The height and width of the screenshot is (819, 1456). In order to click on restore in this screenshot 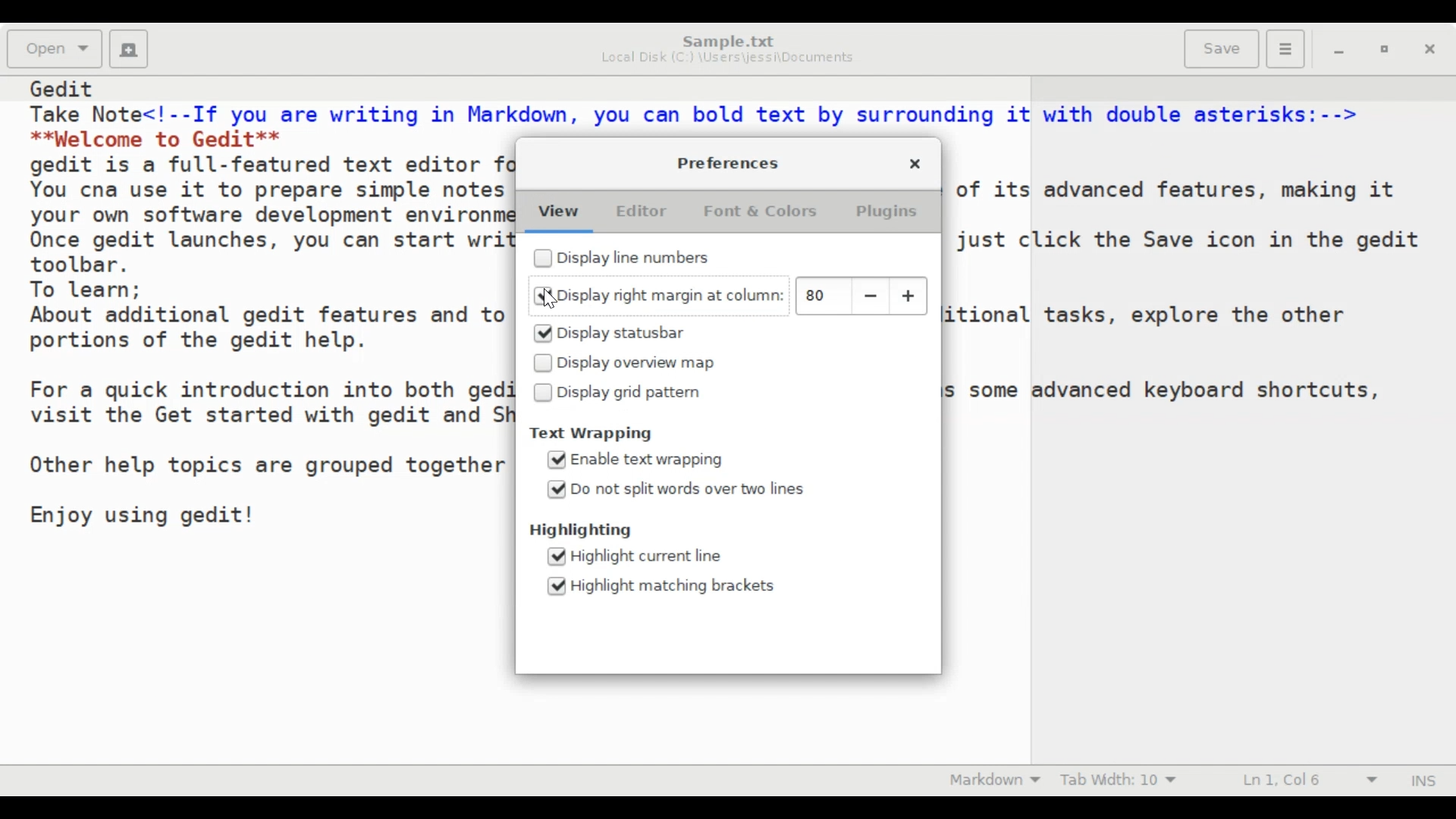, I will do `click(1389, 51)`.